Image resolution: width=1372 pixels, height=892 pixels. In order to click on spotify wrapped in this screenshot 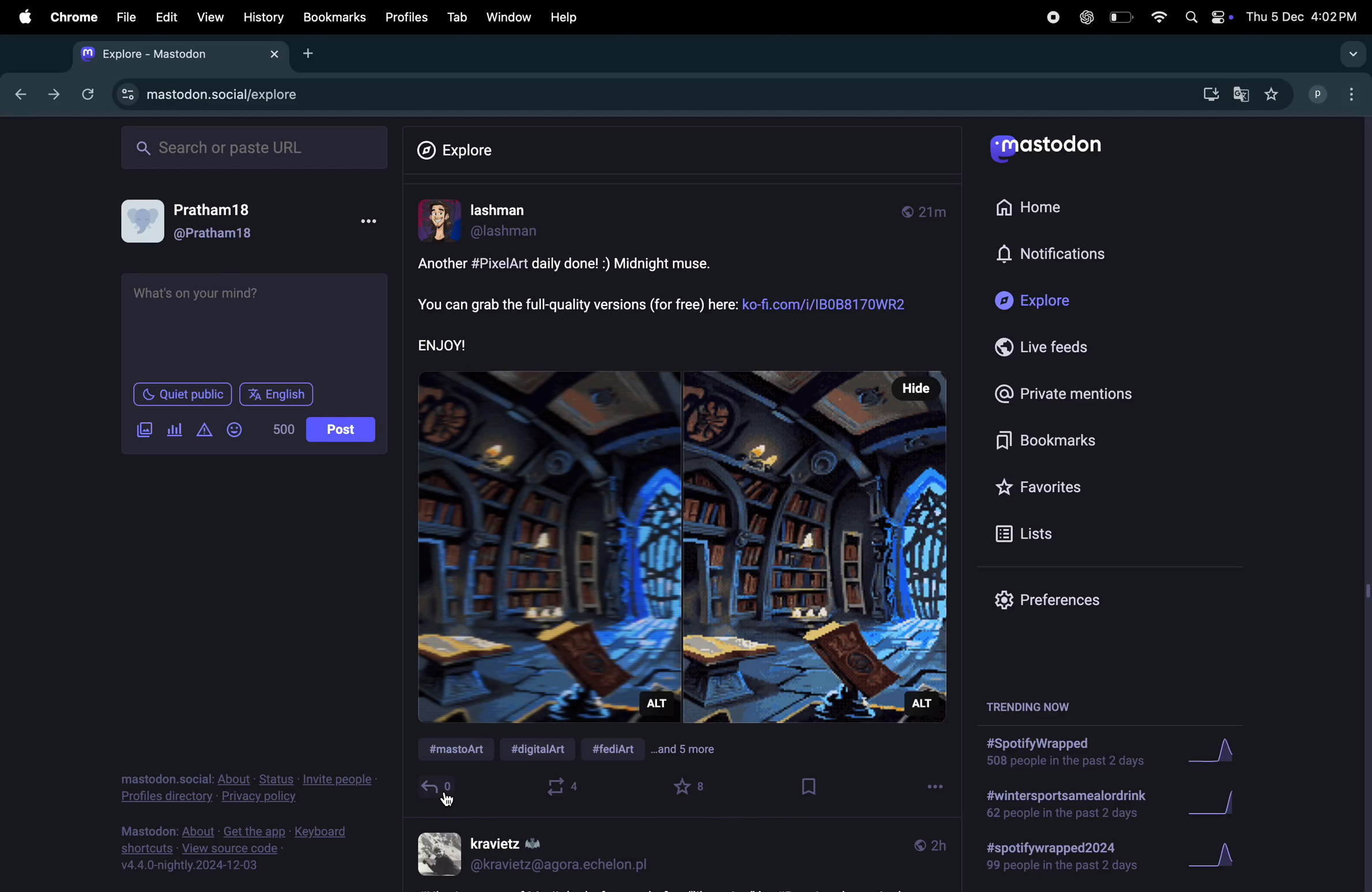, I will do `click(1069, 861)`.